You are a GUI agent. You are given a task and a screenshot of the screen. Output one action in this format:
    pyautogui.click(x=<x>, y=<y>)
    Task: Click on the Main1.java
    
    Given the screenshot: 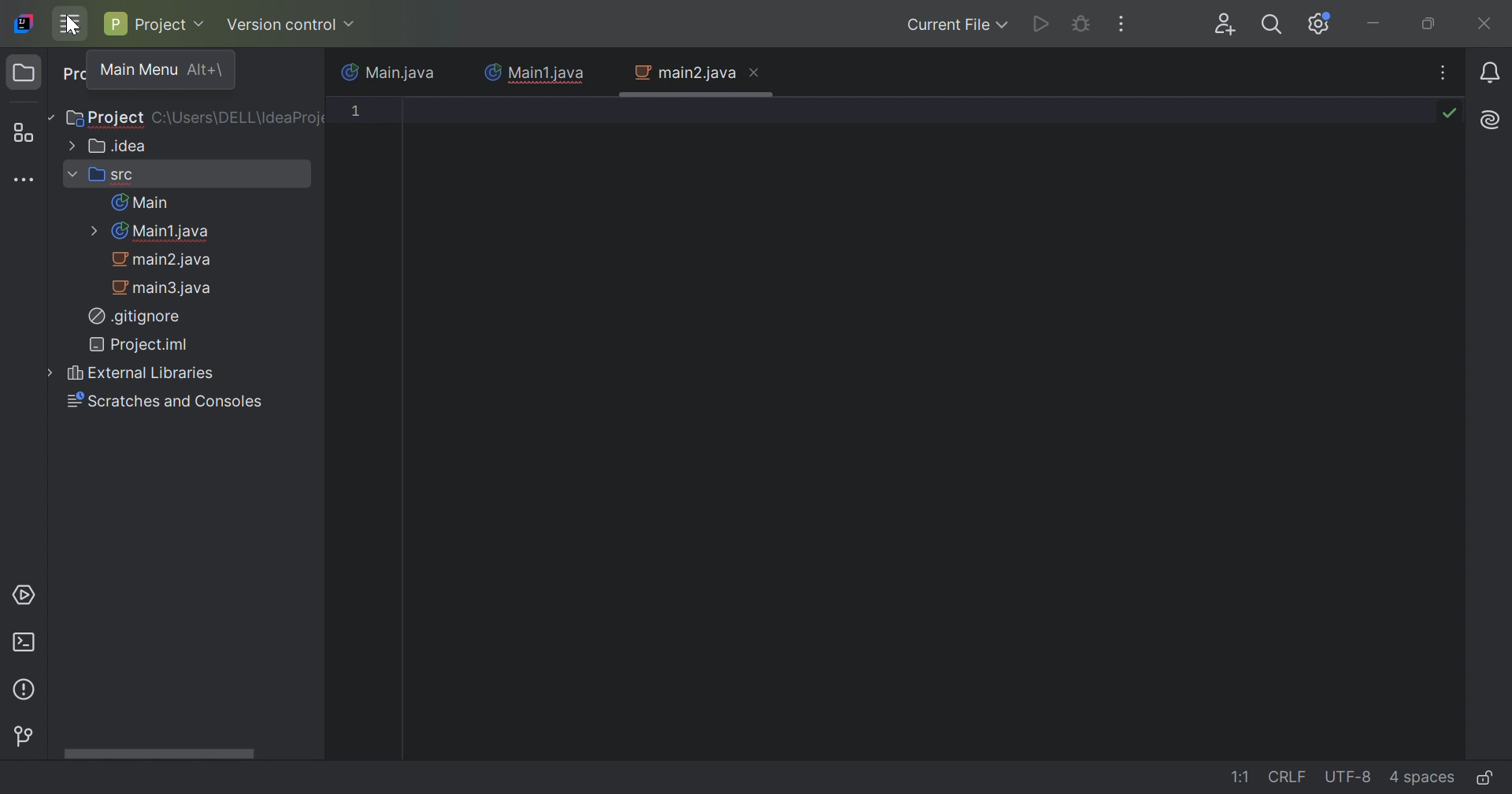 What is the action you would take?
    pyautogui.click(x=147, y=232)
    